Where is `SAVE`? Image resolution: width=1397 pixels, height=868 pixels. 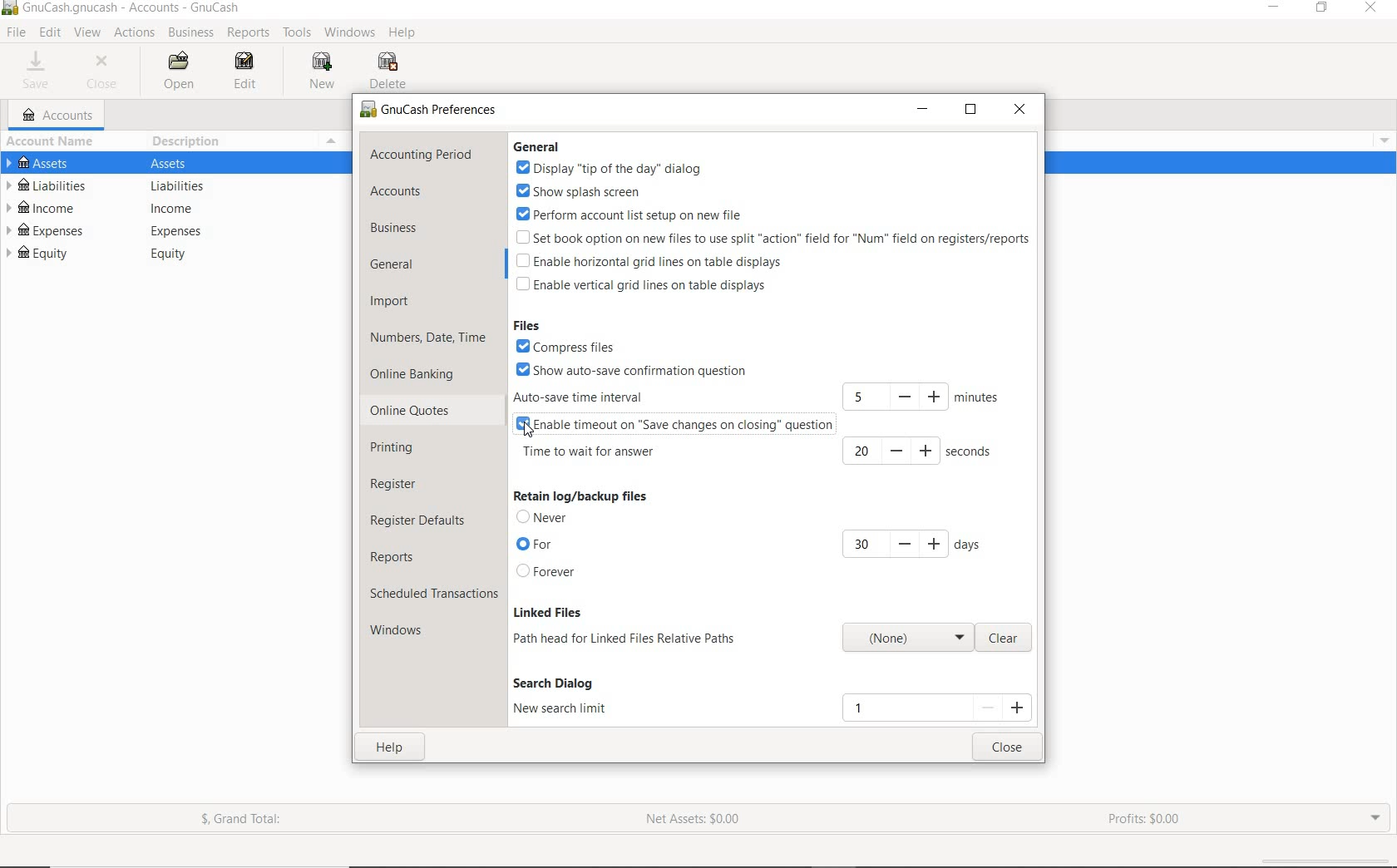
SAVE is located at coordinates (41, 70).